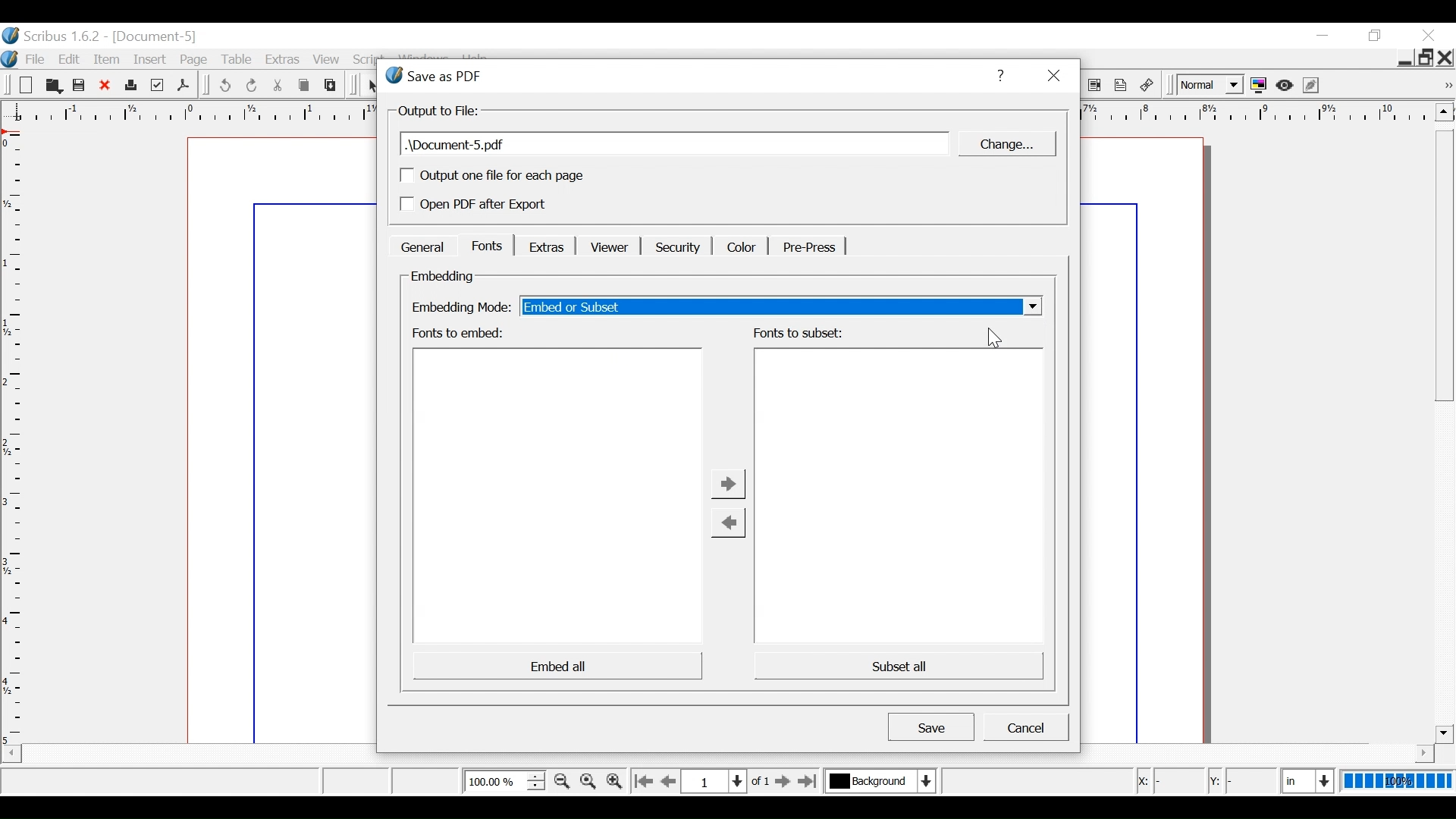  What do you see at coordinates (642, 782) in the screenshot?
I see `Go to the first page` at bounding box center [642, 782].